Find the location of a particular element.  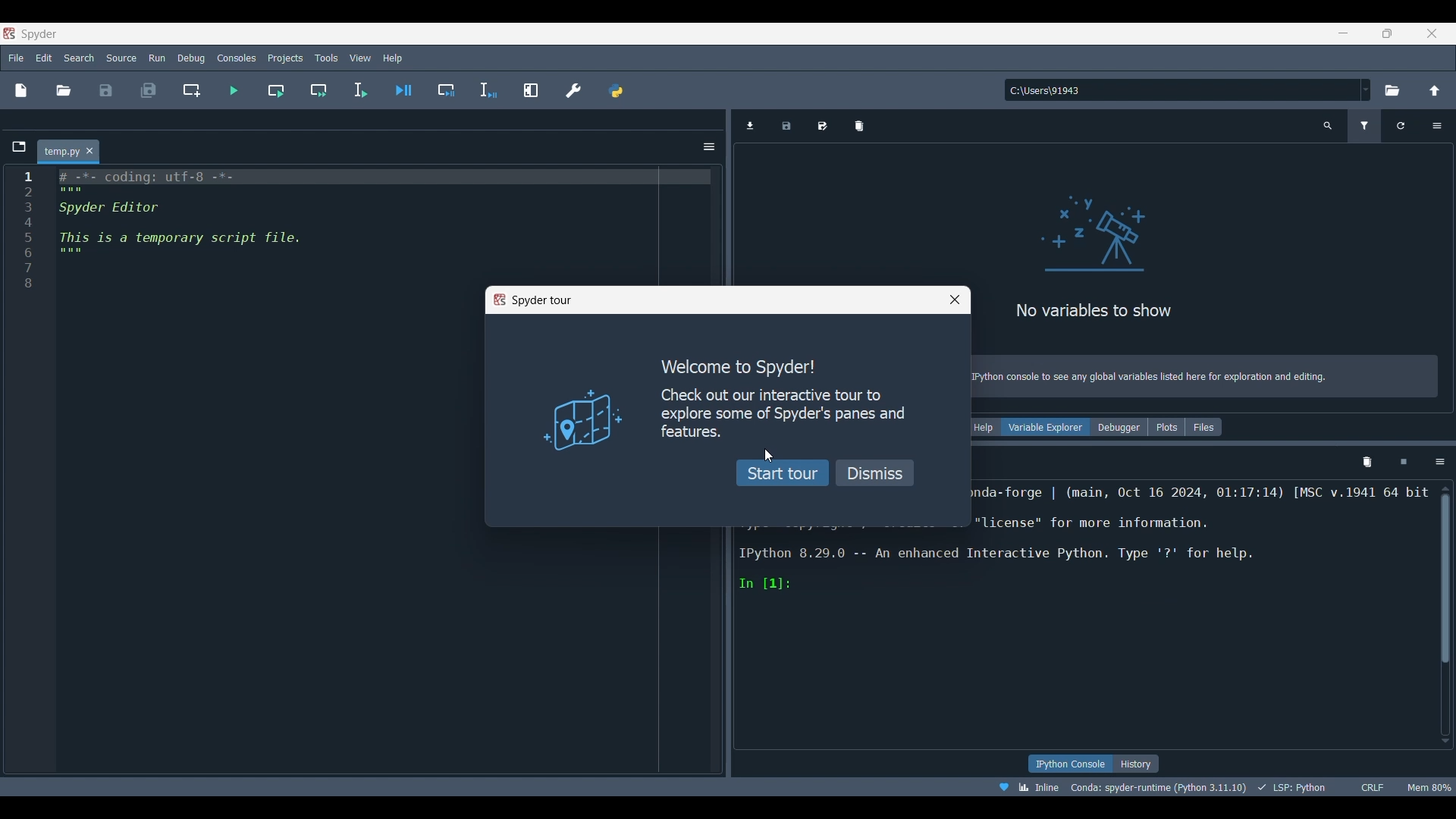

Create new cell at current line is located at coordinates (190, 90).